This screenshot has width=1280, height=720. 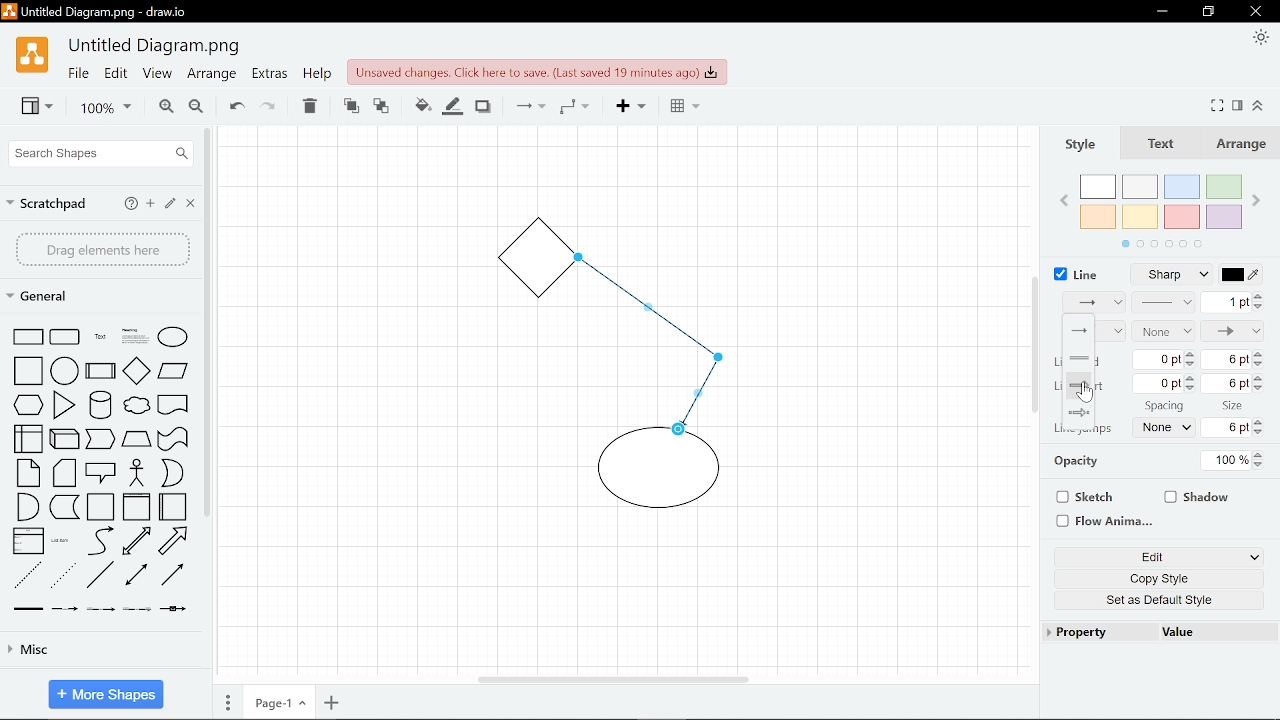 I want to click on Shadow, so click(x=483, y=105).